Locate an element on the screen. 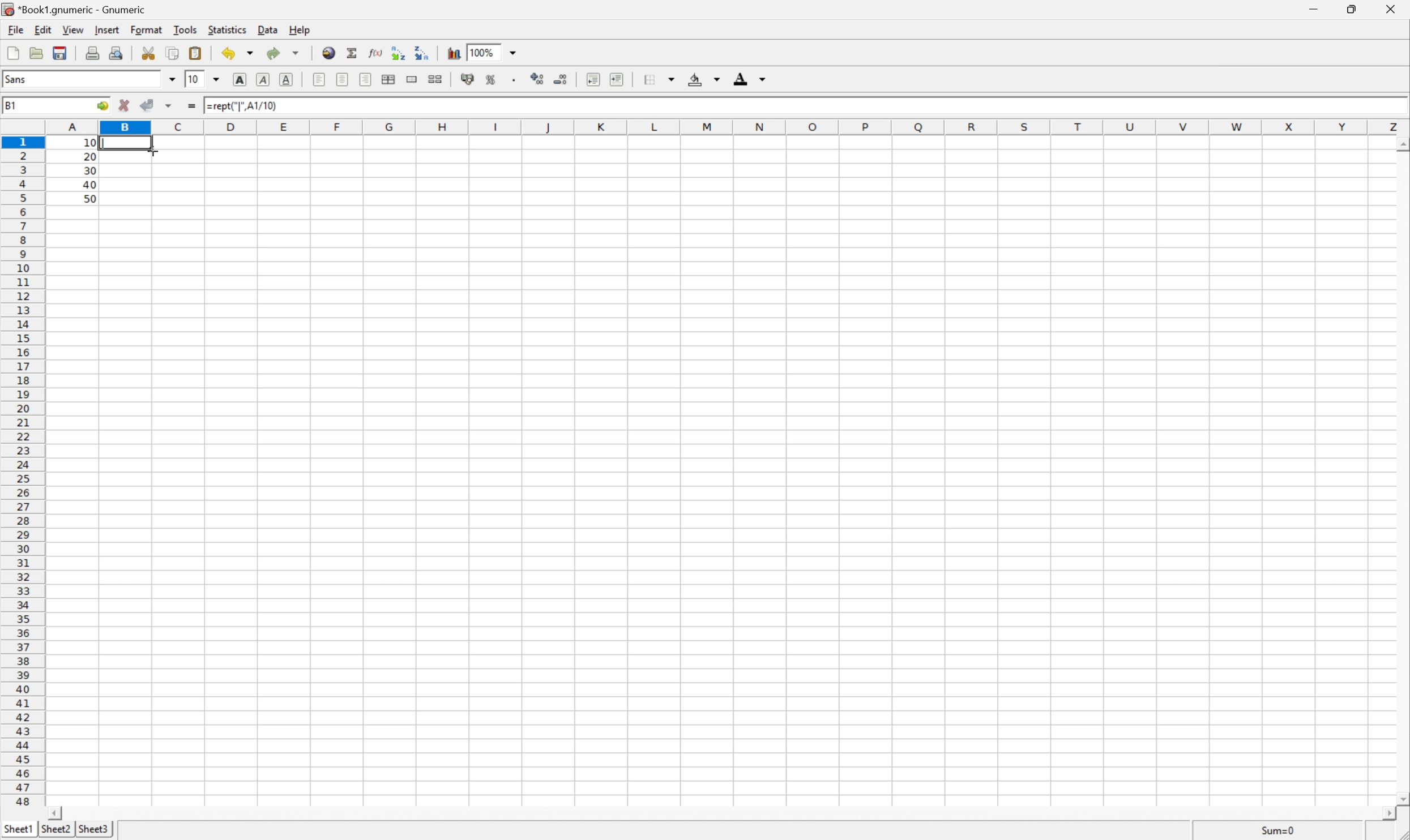 The image size is (1410, 840). Enter formula is located at coordinates (192, 106).